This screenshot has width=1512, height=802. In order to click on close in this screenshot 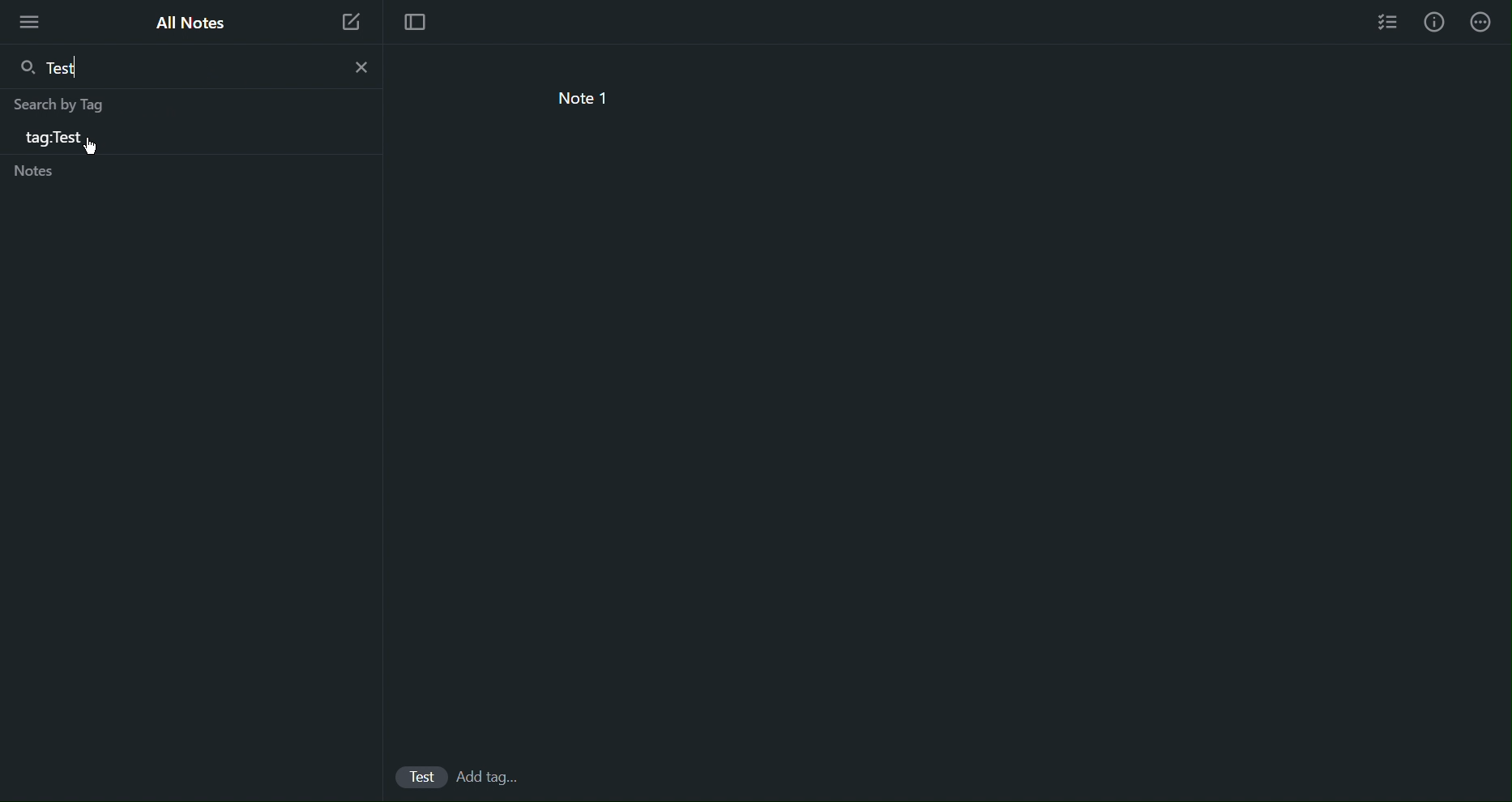, I will do `click(352, 67)`.